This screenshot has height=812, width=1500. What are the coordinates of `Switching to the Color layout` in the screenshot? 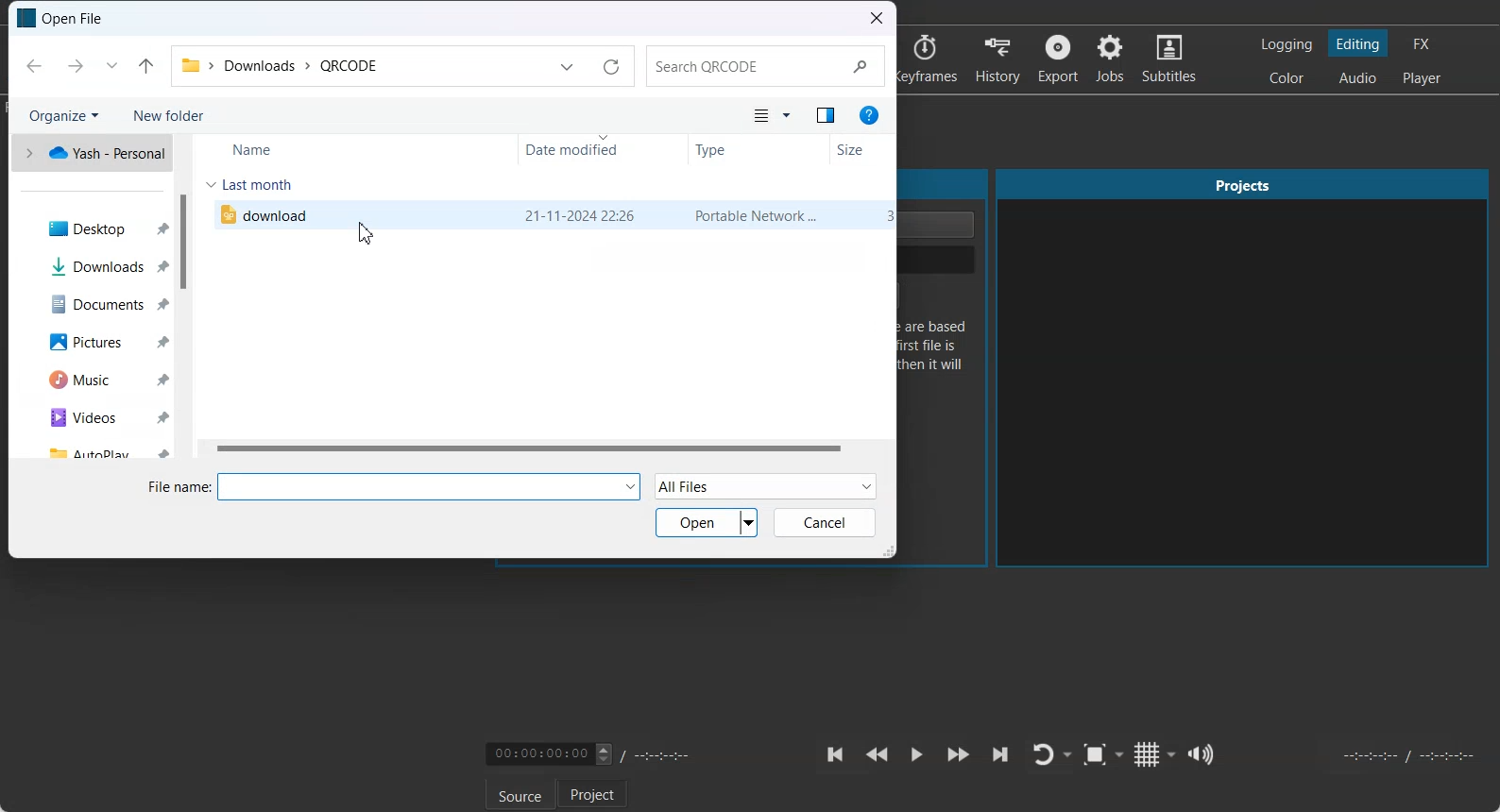 It's located at (1287, 78).